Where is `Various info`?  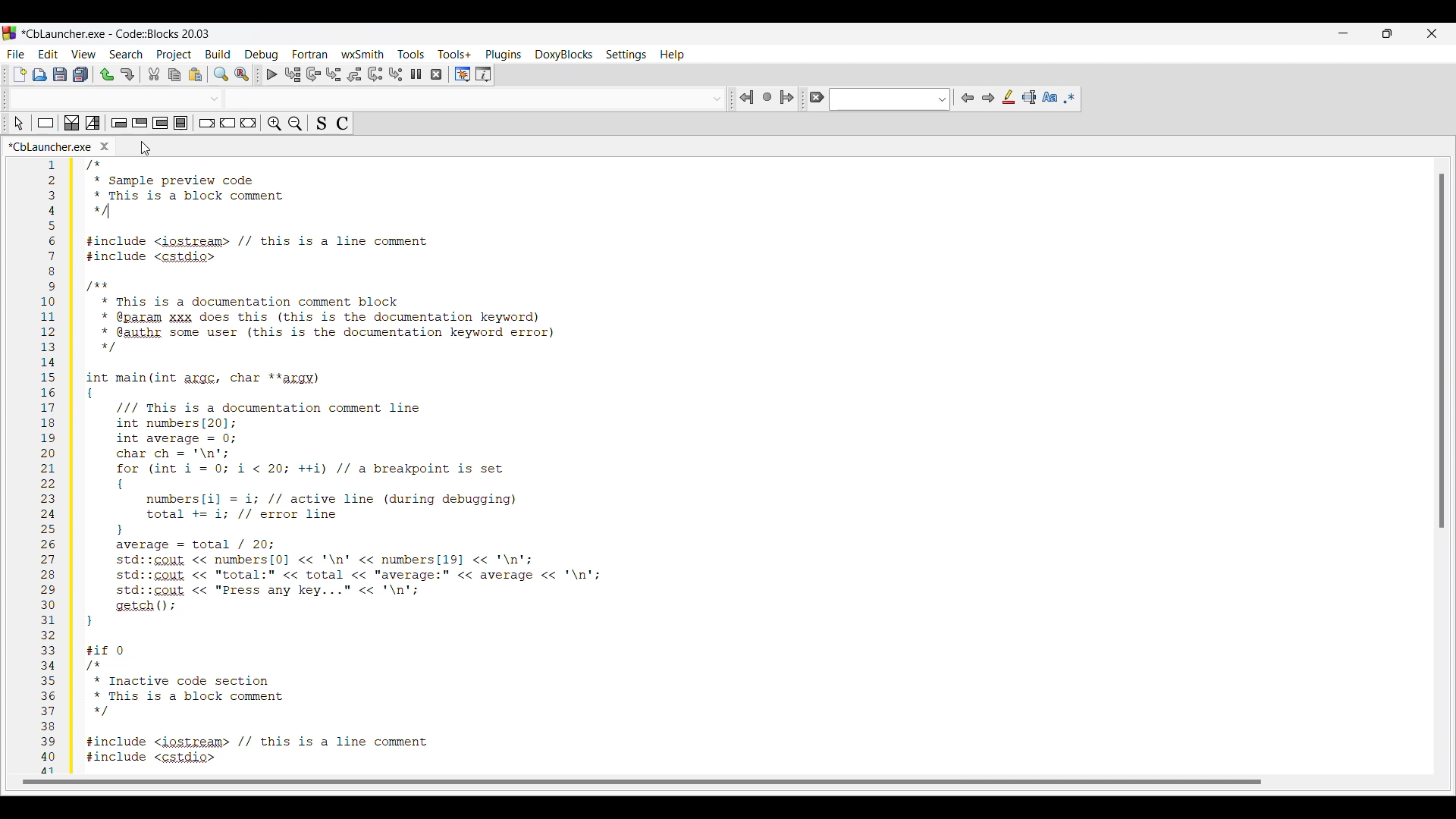 Various info is located at coordinates (483, 74).